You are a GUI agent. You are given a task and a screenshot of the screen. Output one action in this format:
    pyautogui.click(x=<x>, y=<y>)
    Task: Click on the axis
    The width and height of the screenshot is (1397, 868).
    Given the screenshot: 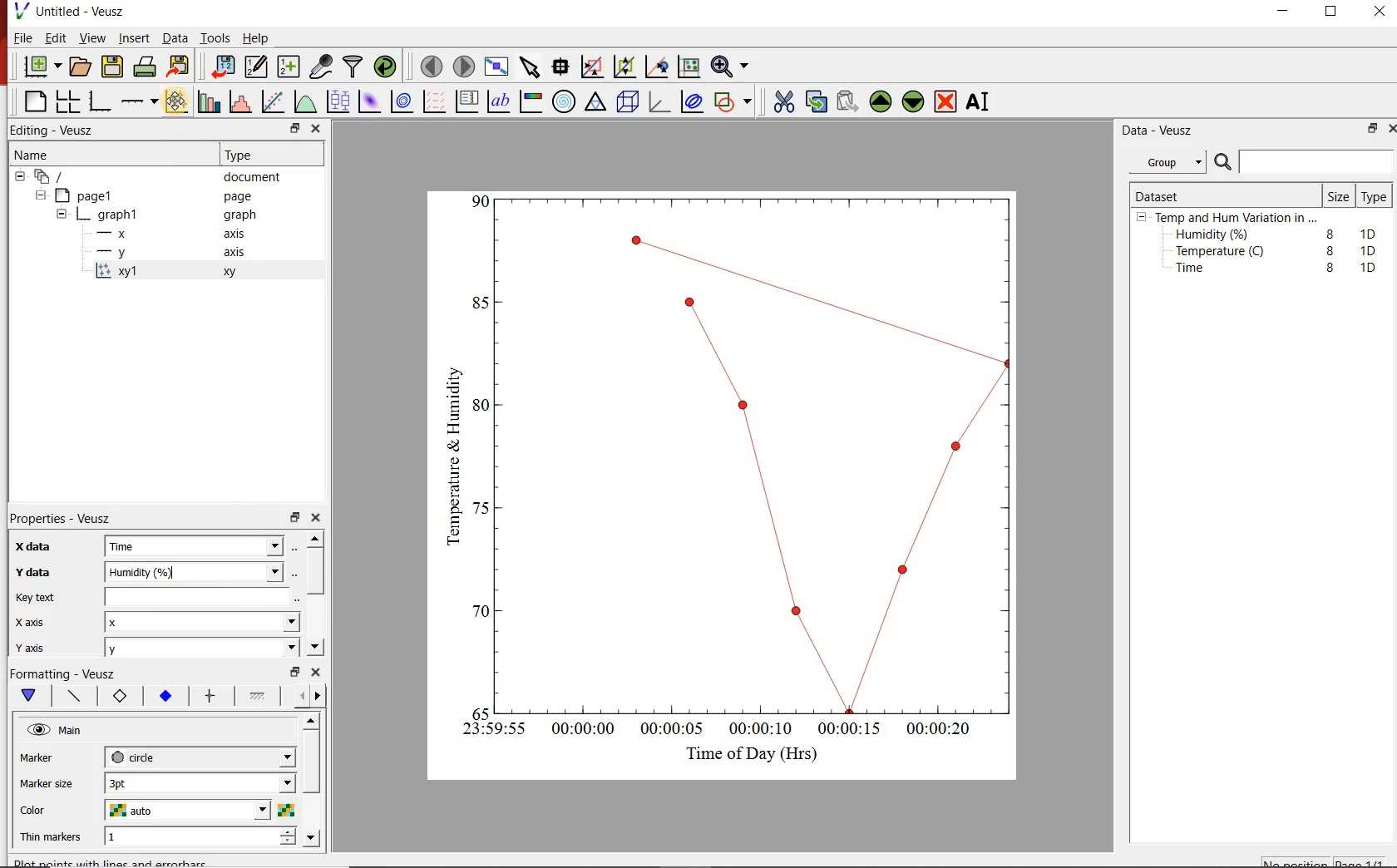 What is the action you would take?
    pyautogui.click(x=239, y=235)
    